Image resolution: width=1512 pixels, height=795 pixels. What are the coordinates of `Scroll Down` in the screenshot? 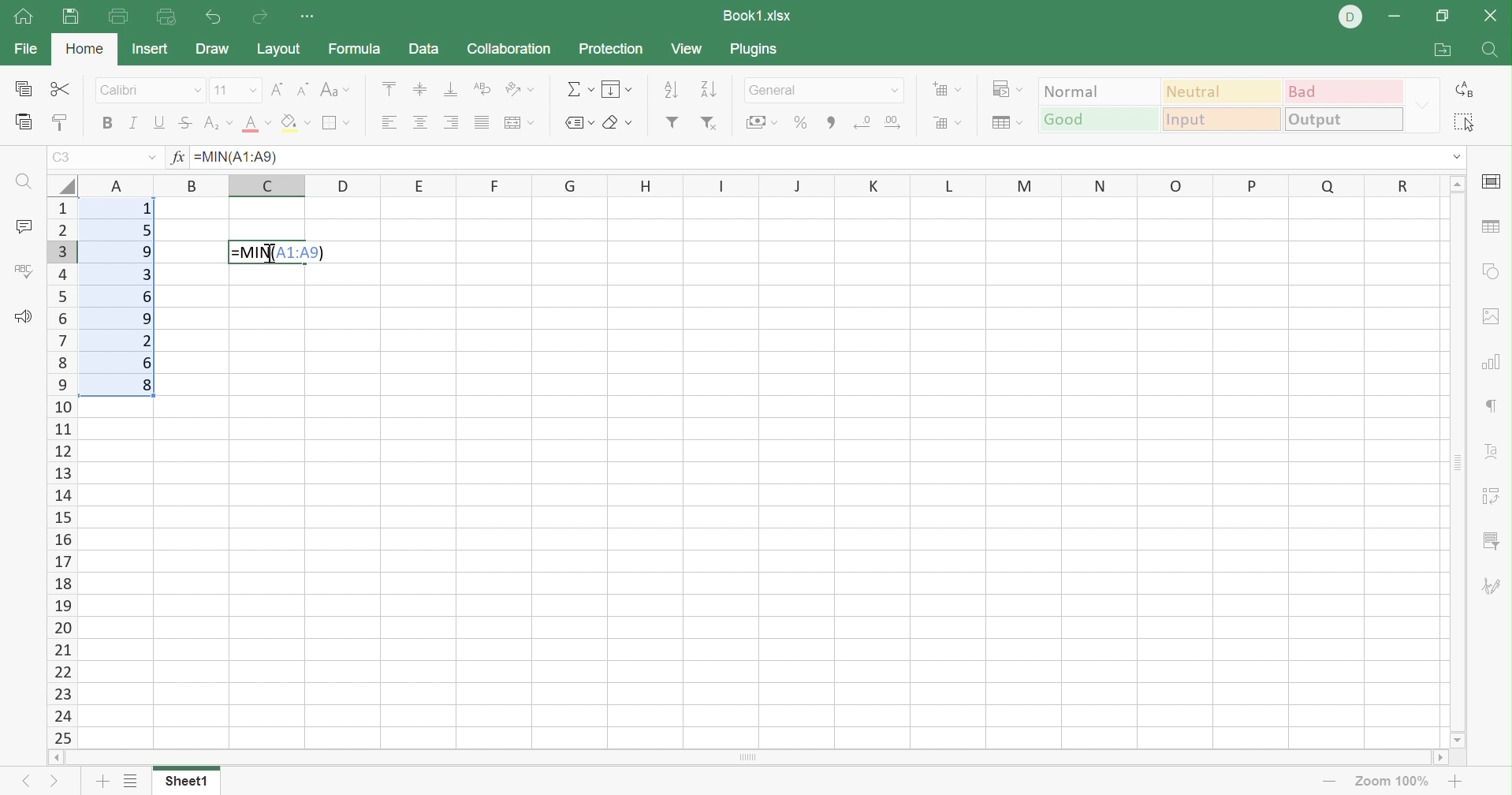 It's located at (1461, 739).